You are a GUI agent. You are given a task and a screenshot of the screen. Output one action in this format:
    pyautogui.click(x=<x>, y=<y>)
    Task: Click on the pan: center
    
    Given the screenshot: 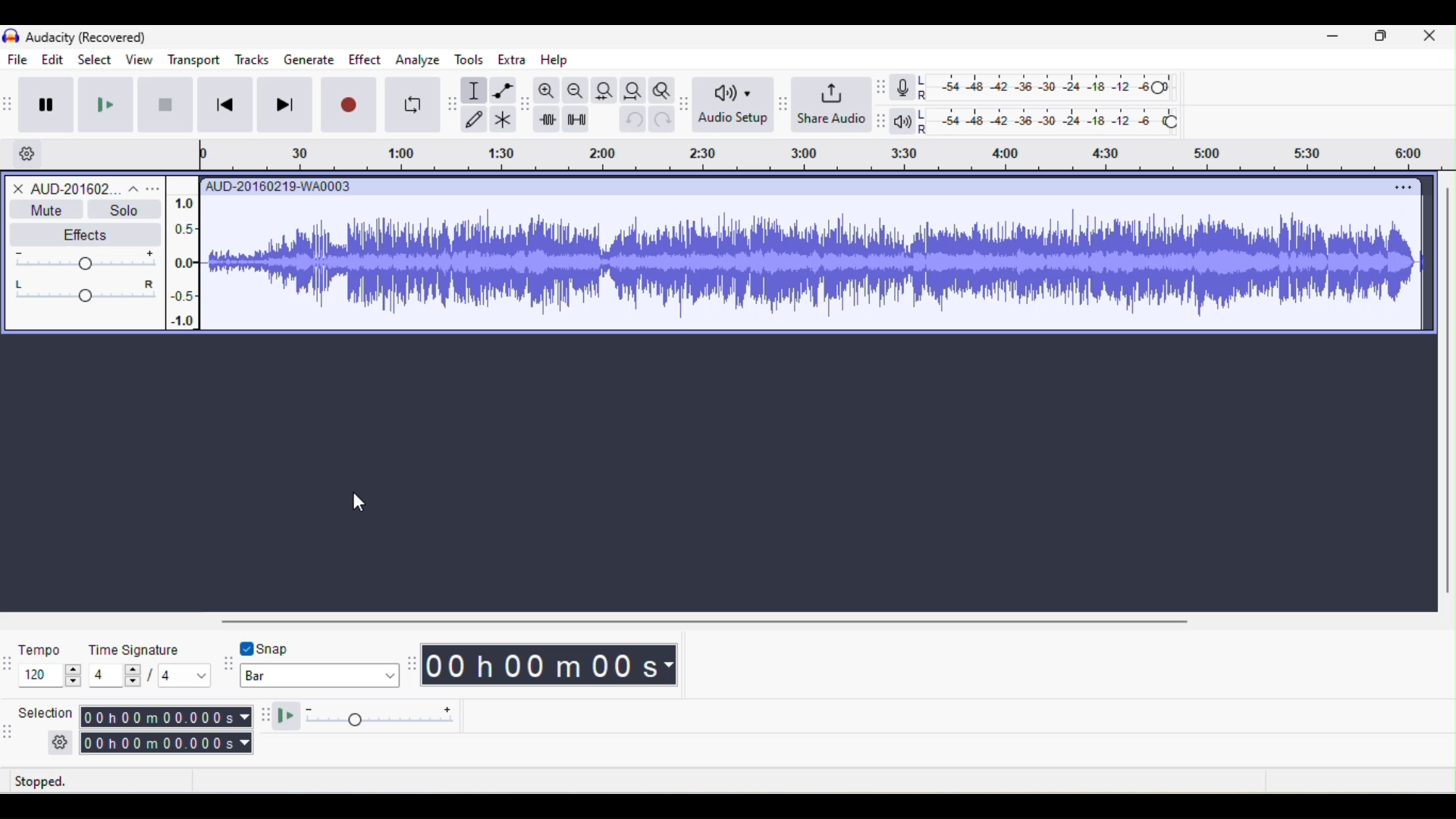 What is the action you would take?
    pyautogui.click(x=87, y=288)
    